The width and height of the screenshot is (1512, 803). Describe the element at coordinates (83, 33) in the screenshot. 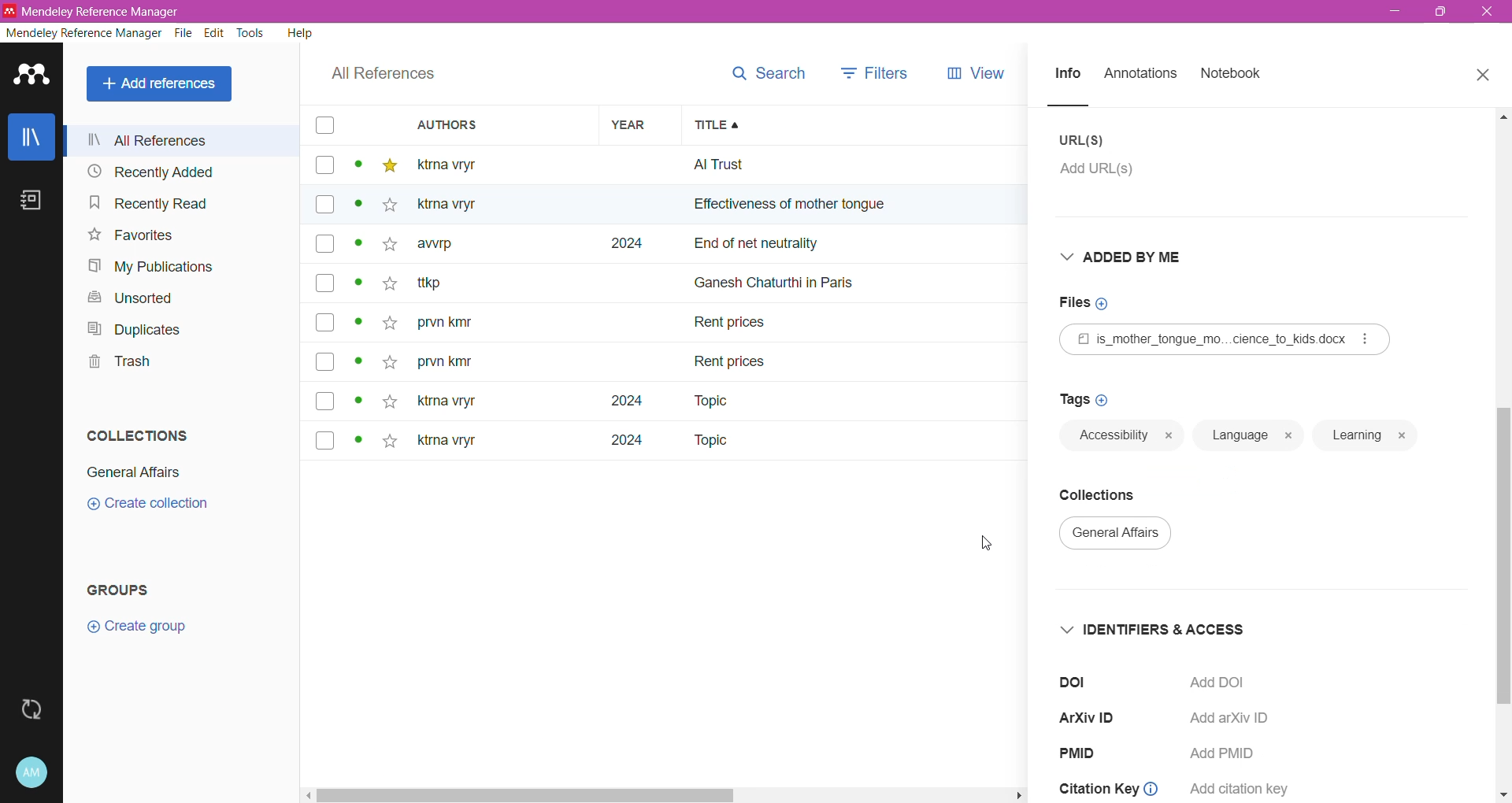

I see `Mendeley Reference Manager` at that location.